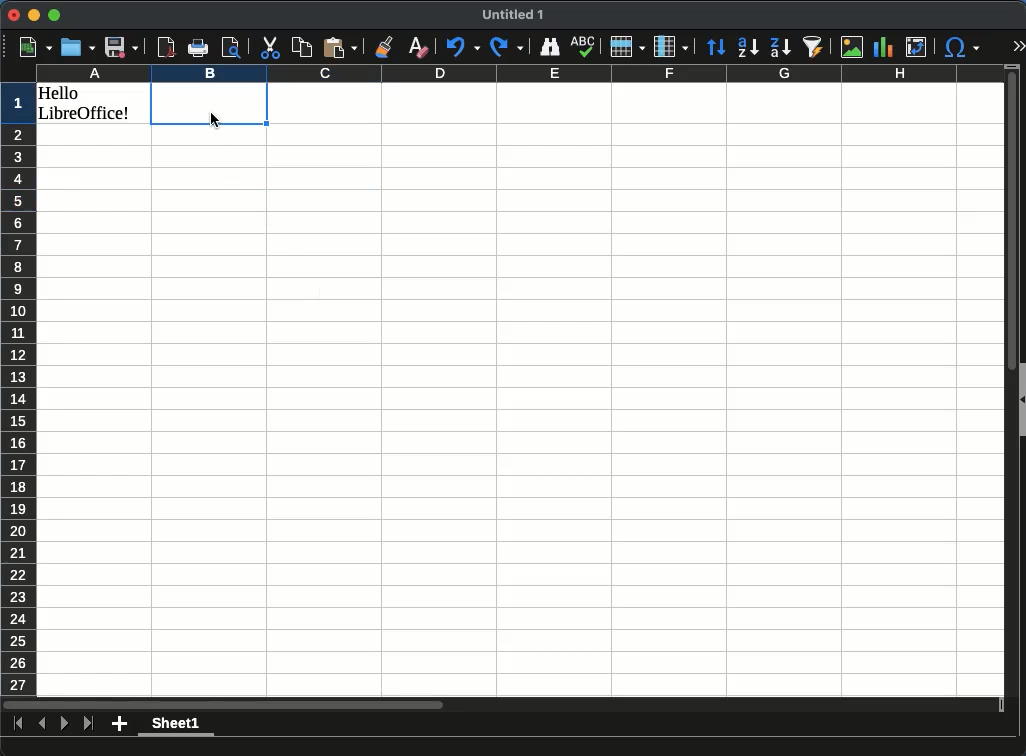 This screenshot has width=1026, height=756. I want to click on add sheet, so click(119, 724).